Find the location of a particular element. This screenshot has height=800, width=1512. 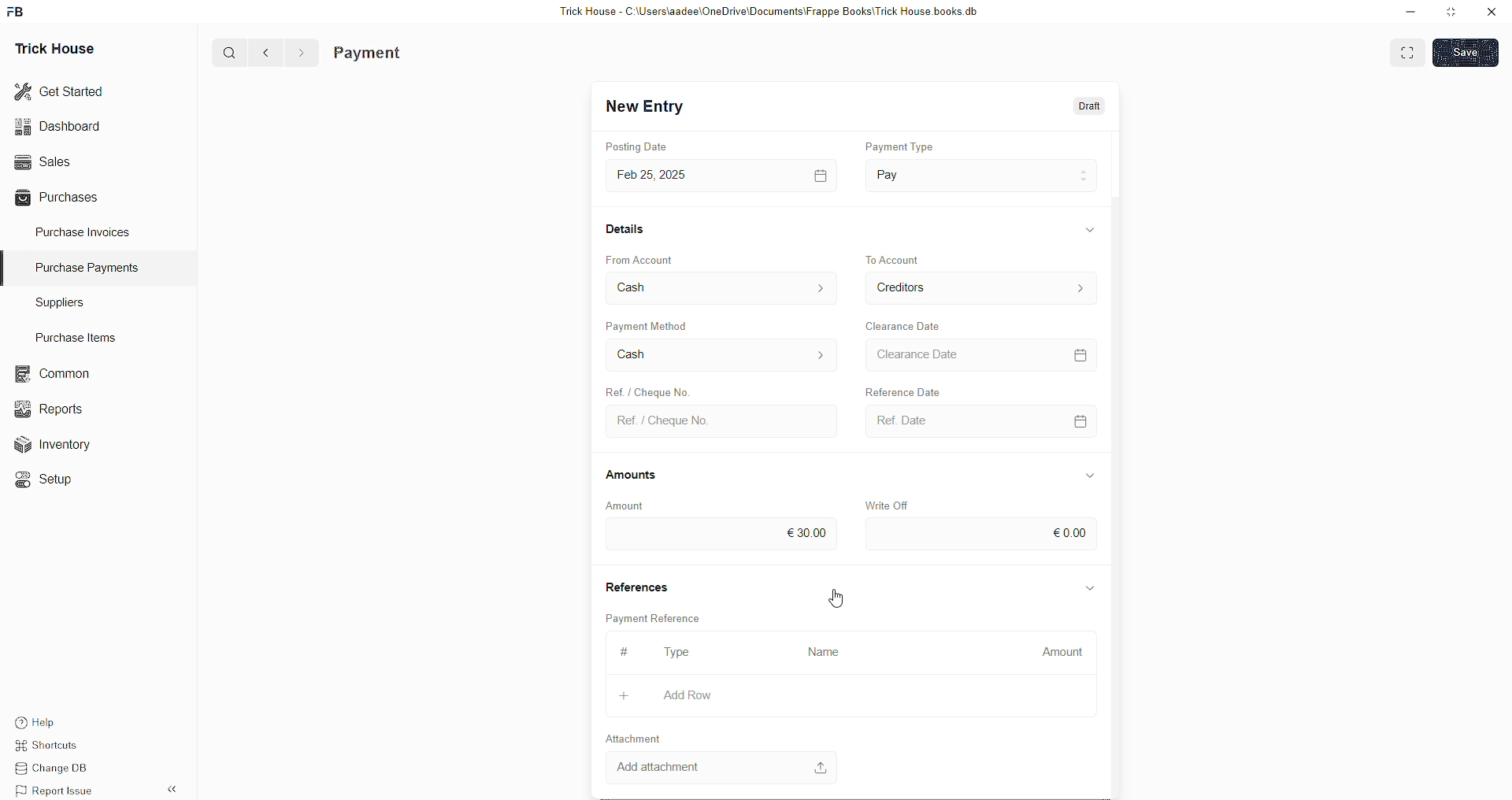

Payment Reference is located at coordinates (656, 617).